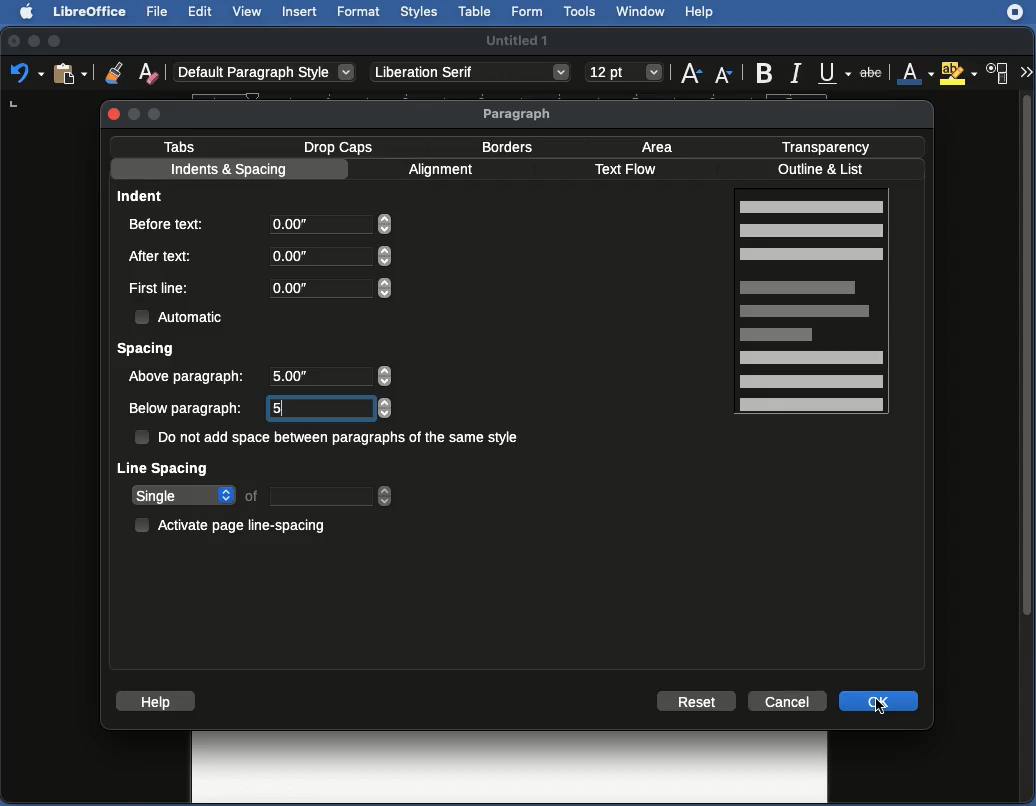  What do you see at coordinates (181, 315) in the screenshot?
I see `Automatic` at bounding box center [181, 315].